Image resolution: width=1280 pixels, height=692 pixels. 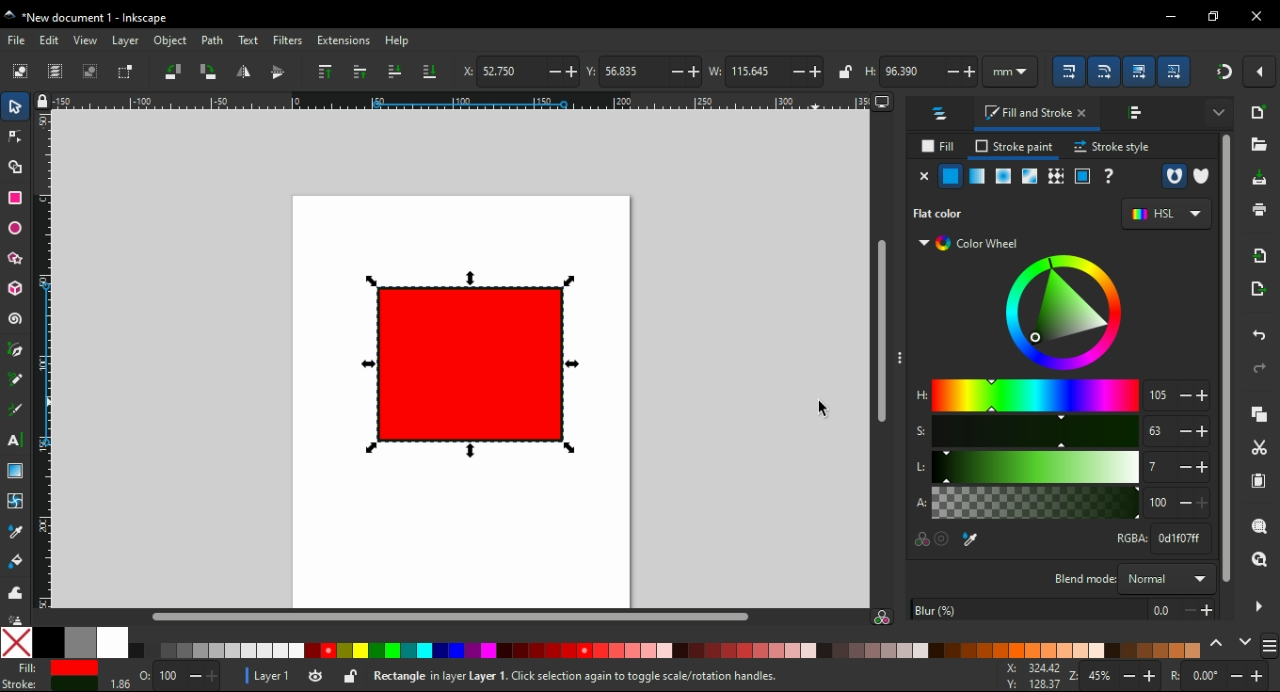 What do you see at coordinates (174, 72) in the screenshot?
I see `object rotate 90 CCW ` at bounding box center [174, 72].